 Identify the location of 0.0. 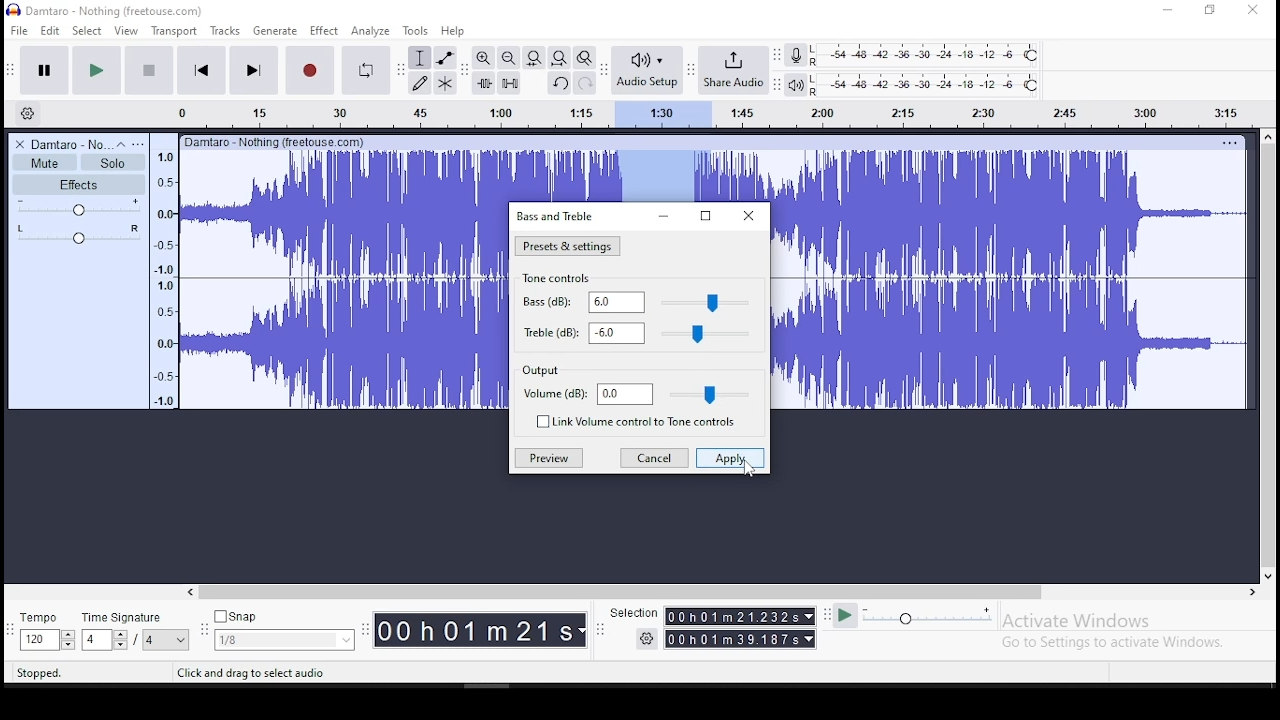
(617, 333).